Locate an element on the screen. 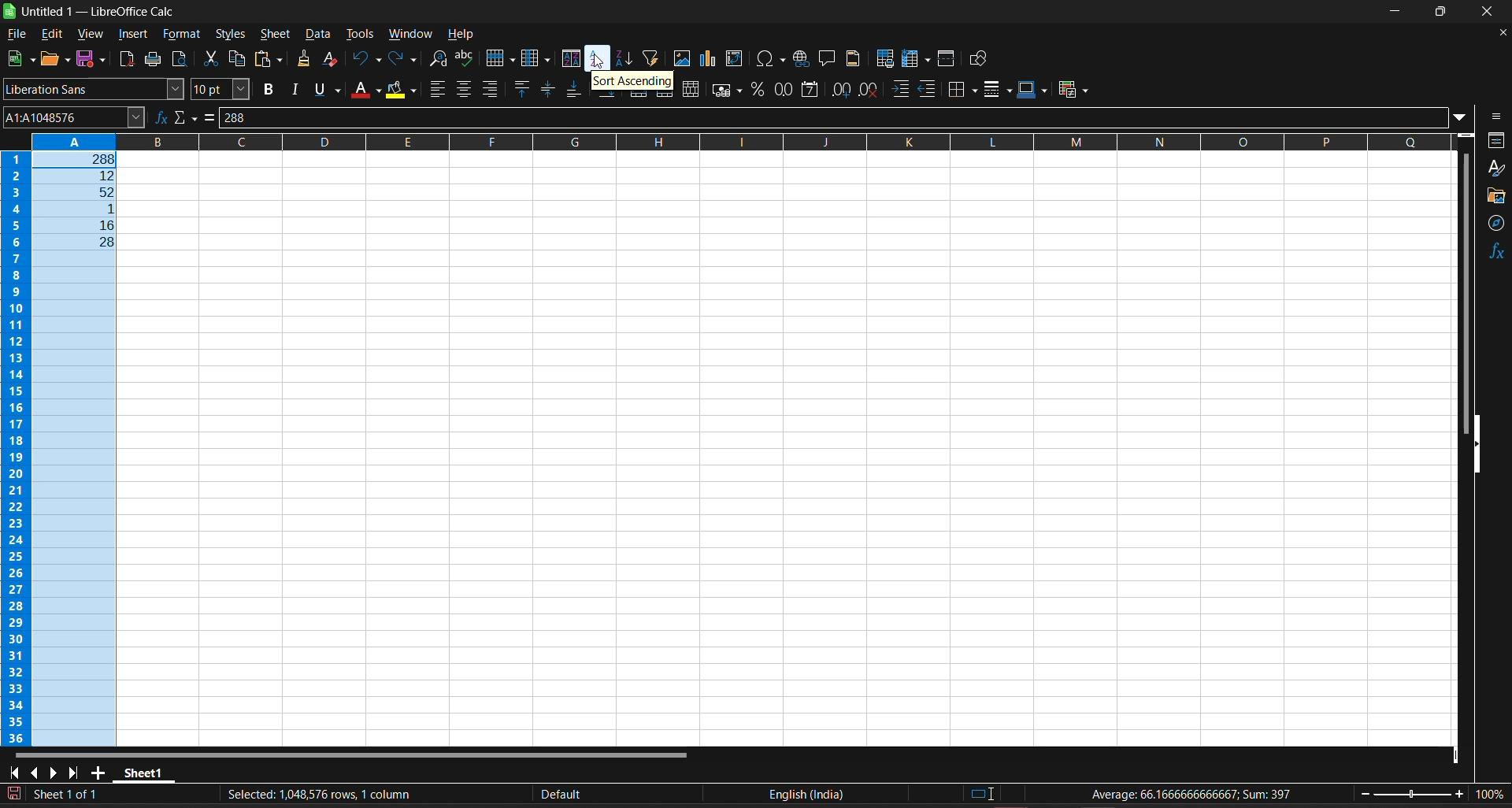 This screenshot has height=808, width=1512. font name is located at coordinates (94, 91).